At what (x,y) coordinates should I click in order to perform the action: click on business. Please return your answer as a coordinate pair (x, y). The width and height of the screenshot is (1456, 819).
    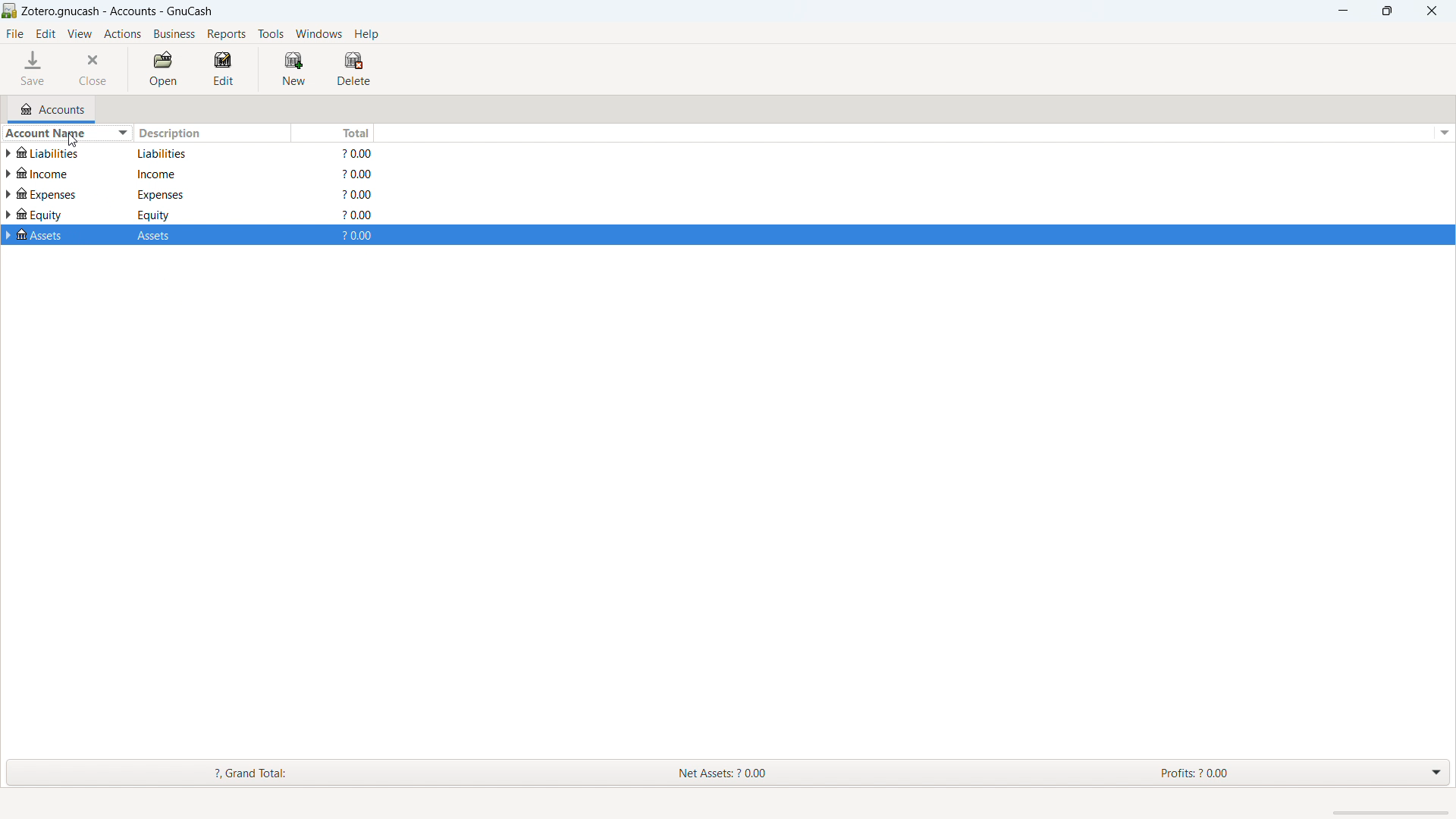
    Looking at the image, I should click on (174, 33).